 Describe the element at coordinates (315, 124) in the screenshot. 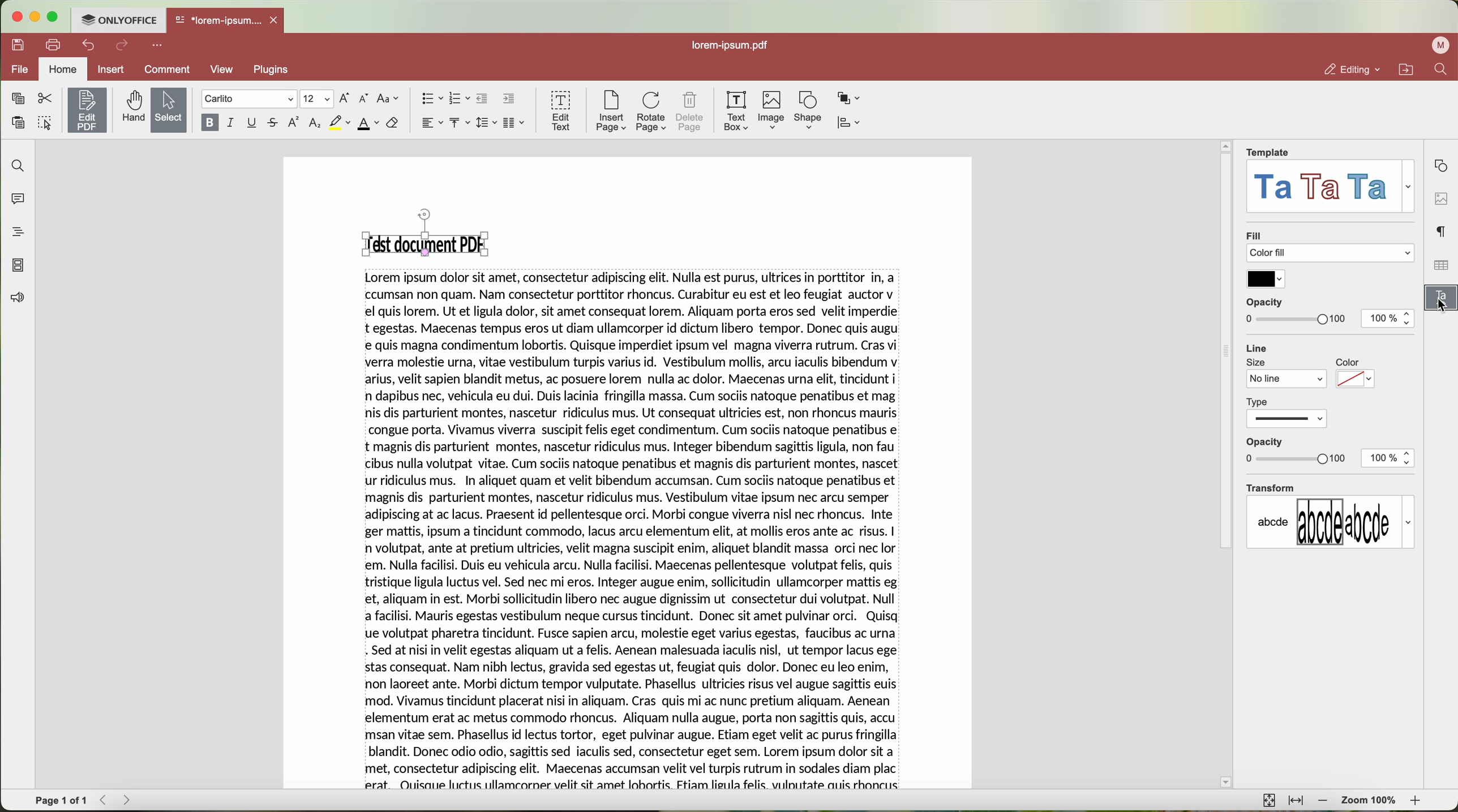

I see `subscript` at that location.